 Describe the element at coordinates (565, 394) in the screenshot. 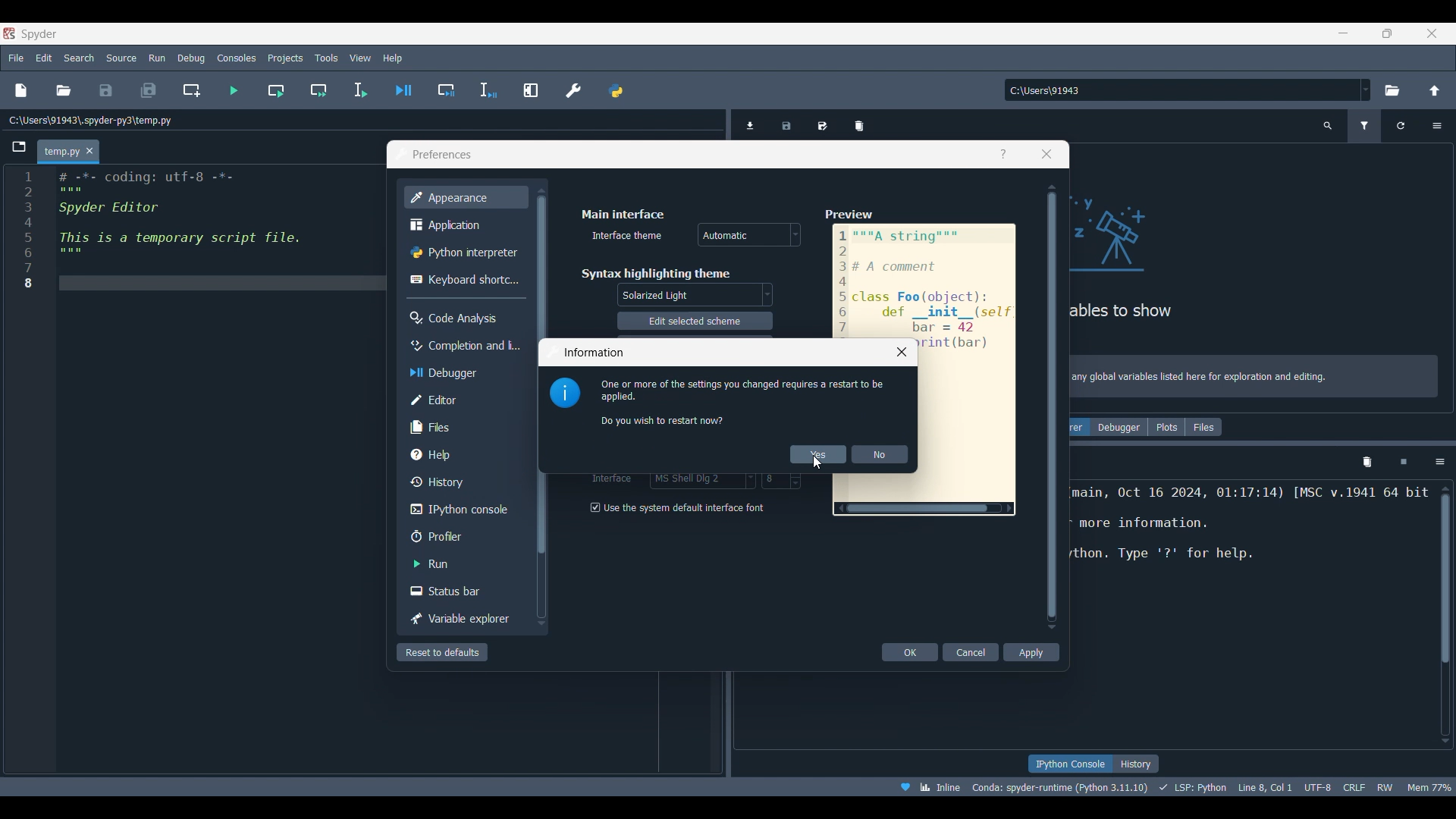

I see `icon` at that location.